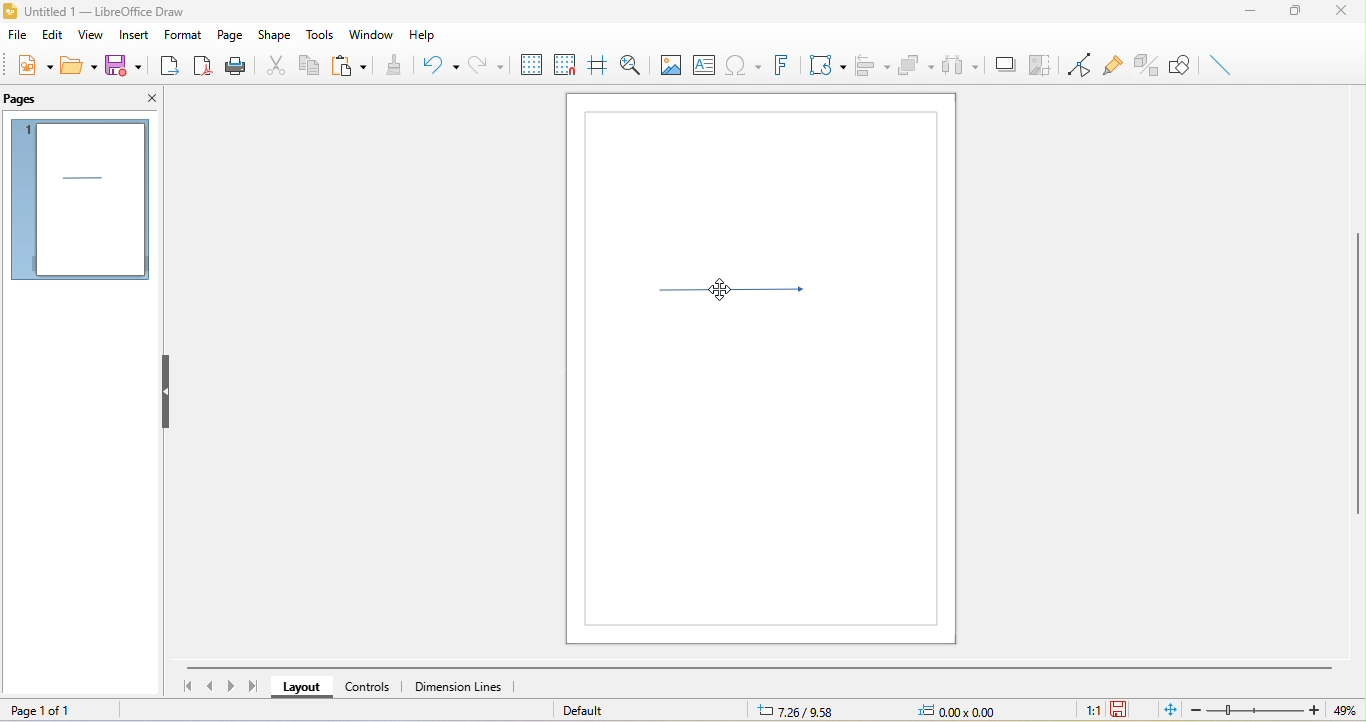 This screenshot has height=722, width=1366. Describe the element at coordinates (719, 293) in the screenshot. I see `cursor` at that location.